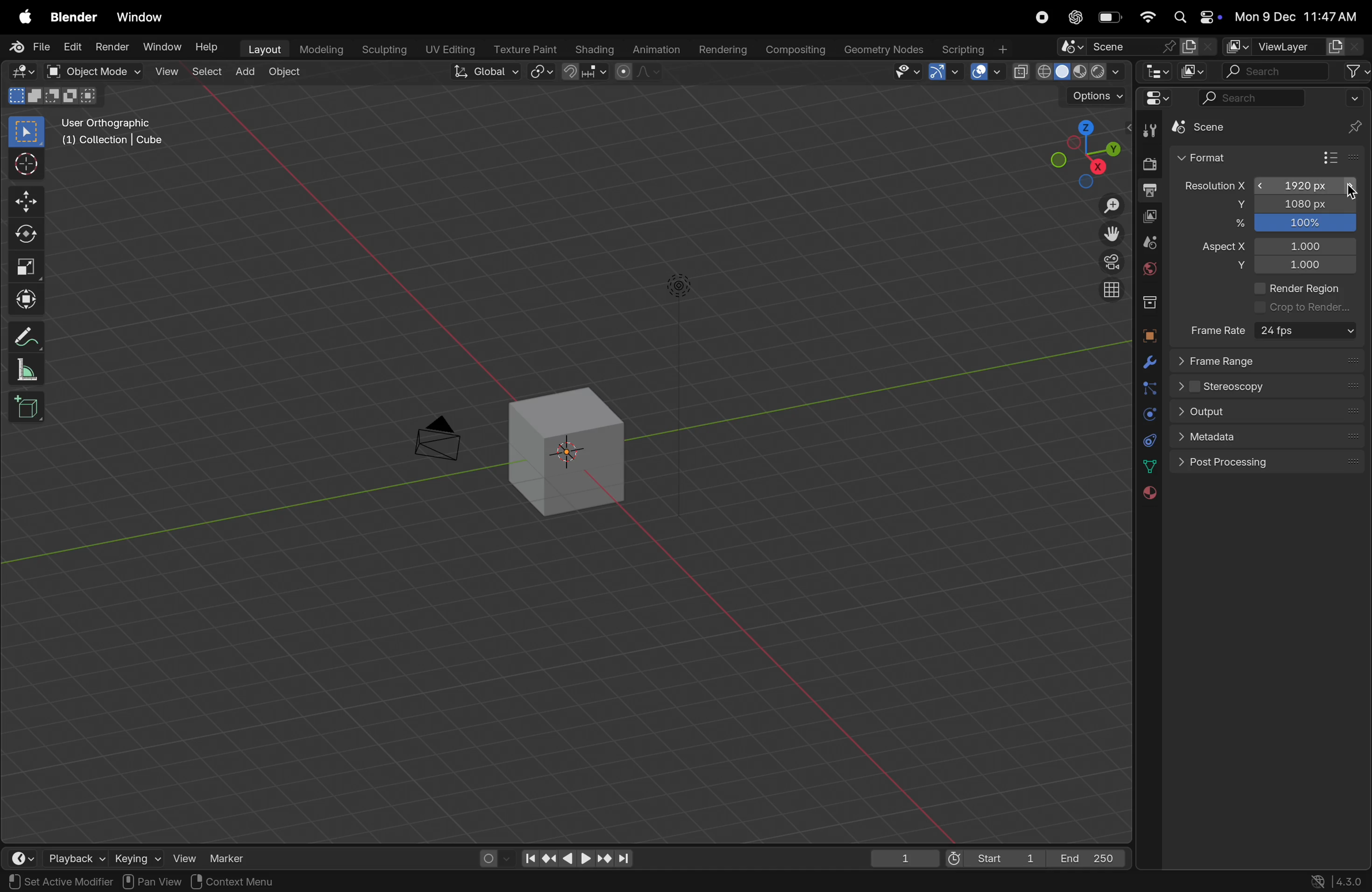 This screenshot has height=892, width=1372. I want to click on scripting, so click(979, 48).